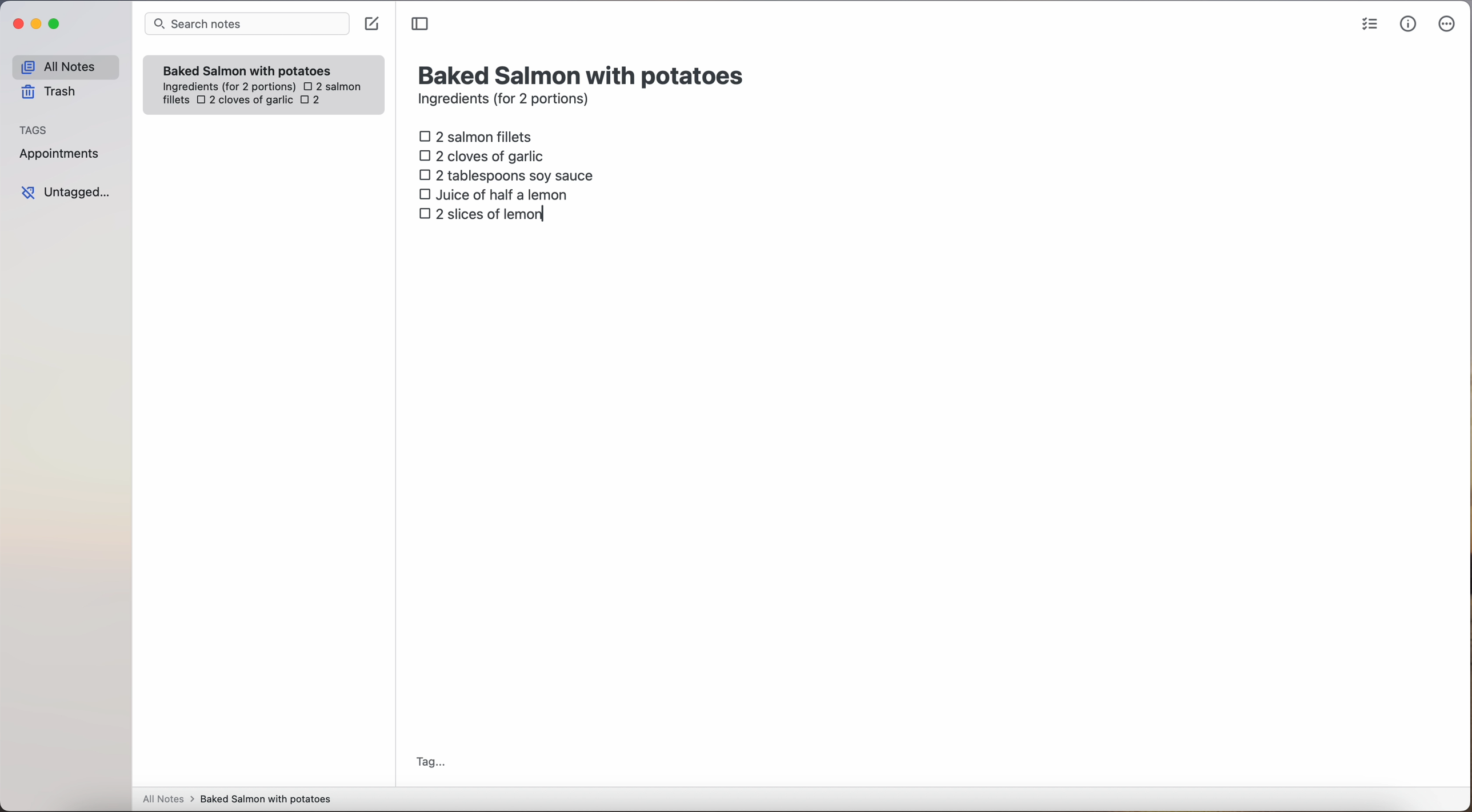  I want to click on check list, so click(1370, 25).